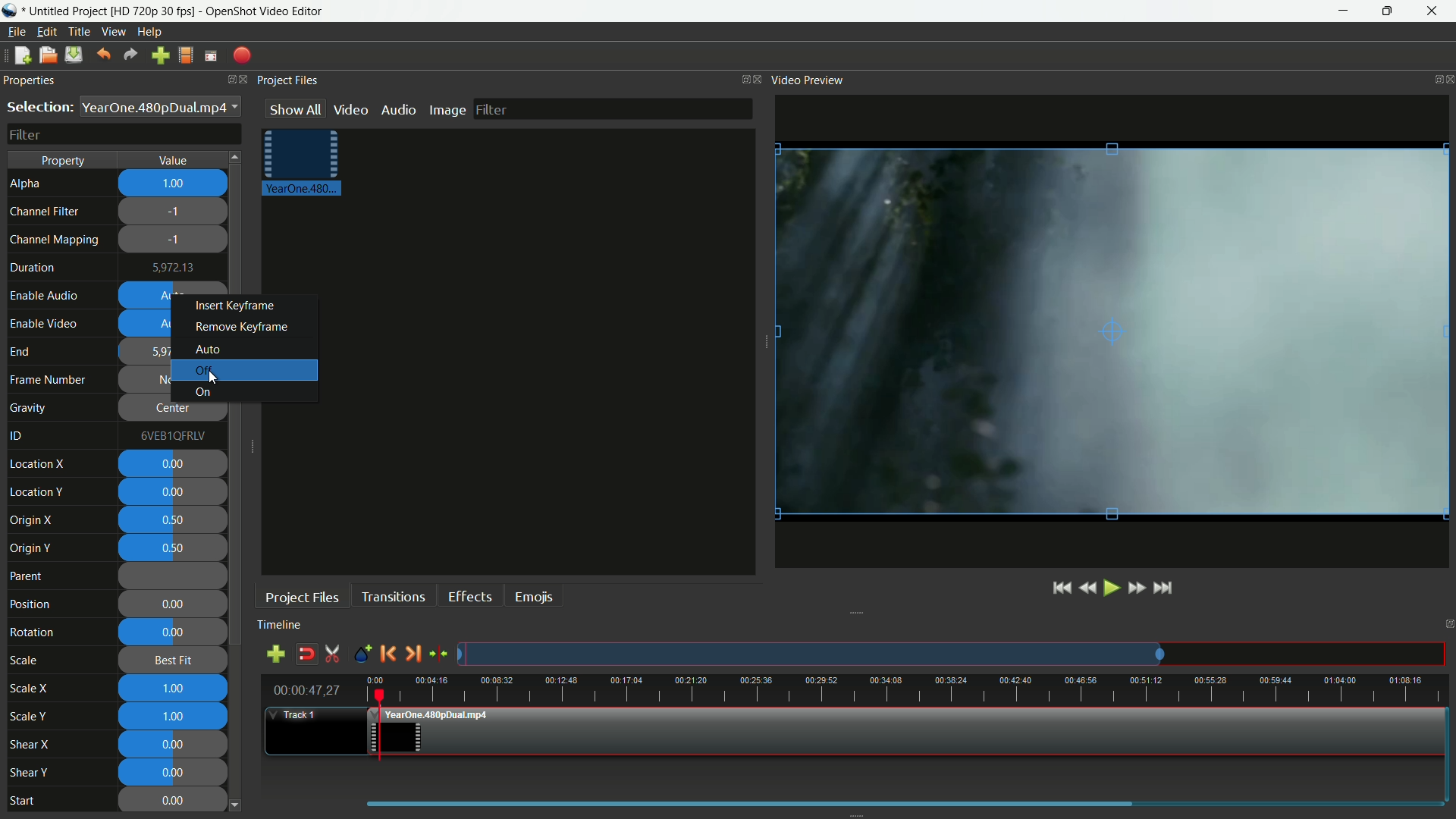  I want to click on YearOne.480pDualmp4 , so click(160, 107).